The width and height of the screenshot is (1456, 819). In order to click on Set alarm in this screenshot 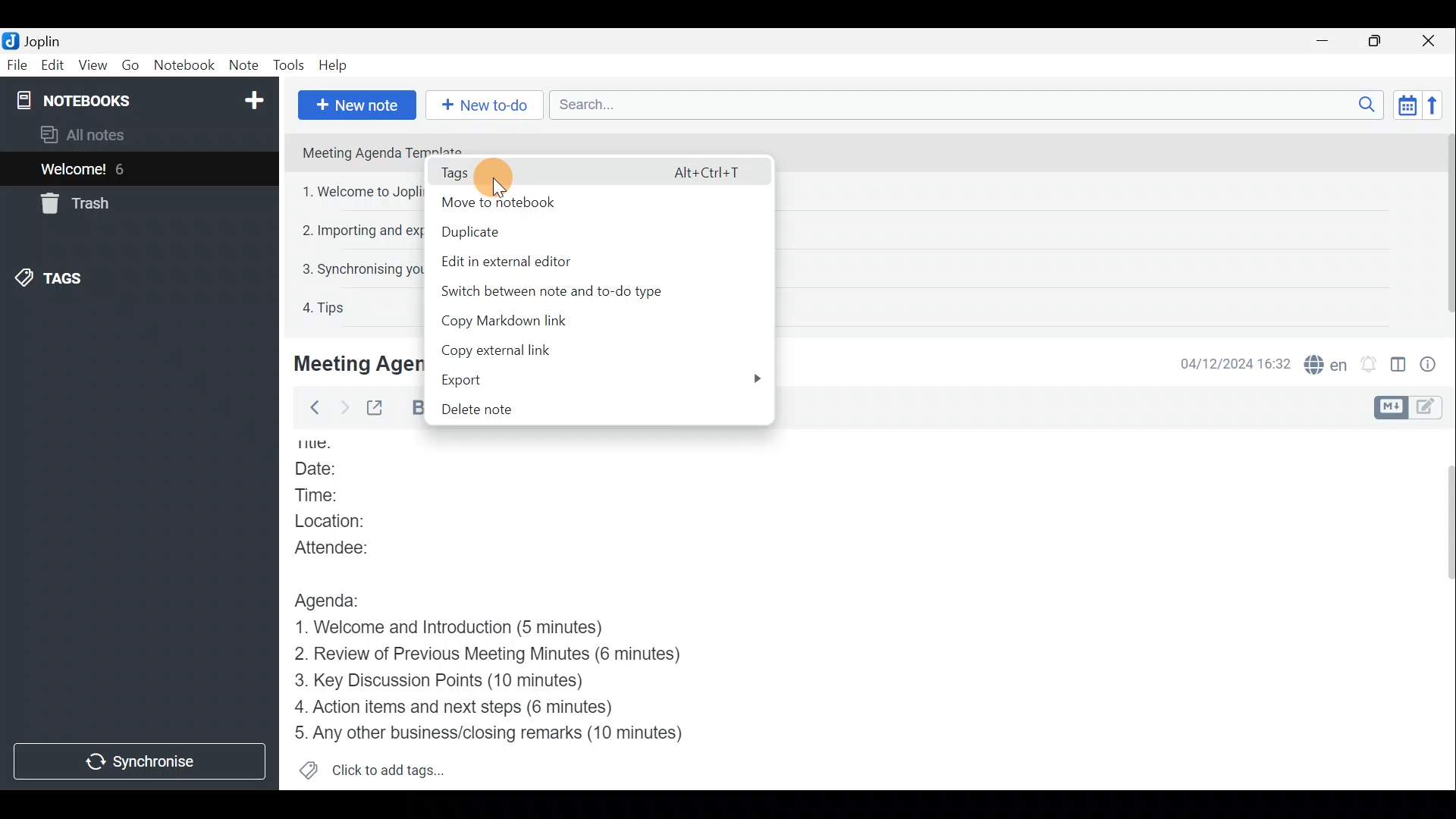, I will do `click(1370, 364)`.